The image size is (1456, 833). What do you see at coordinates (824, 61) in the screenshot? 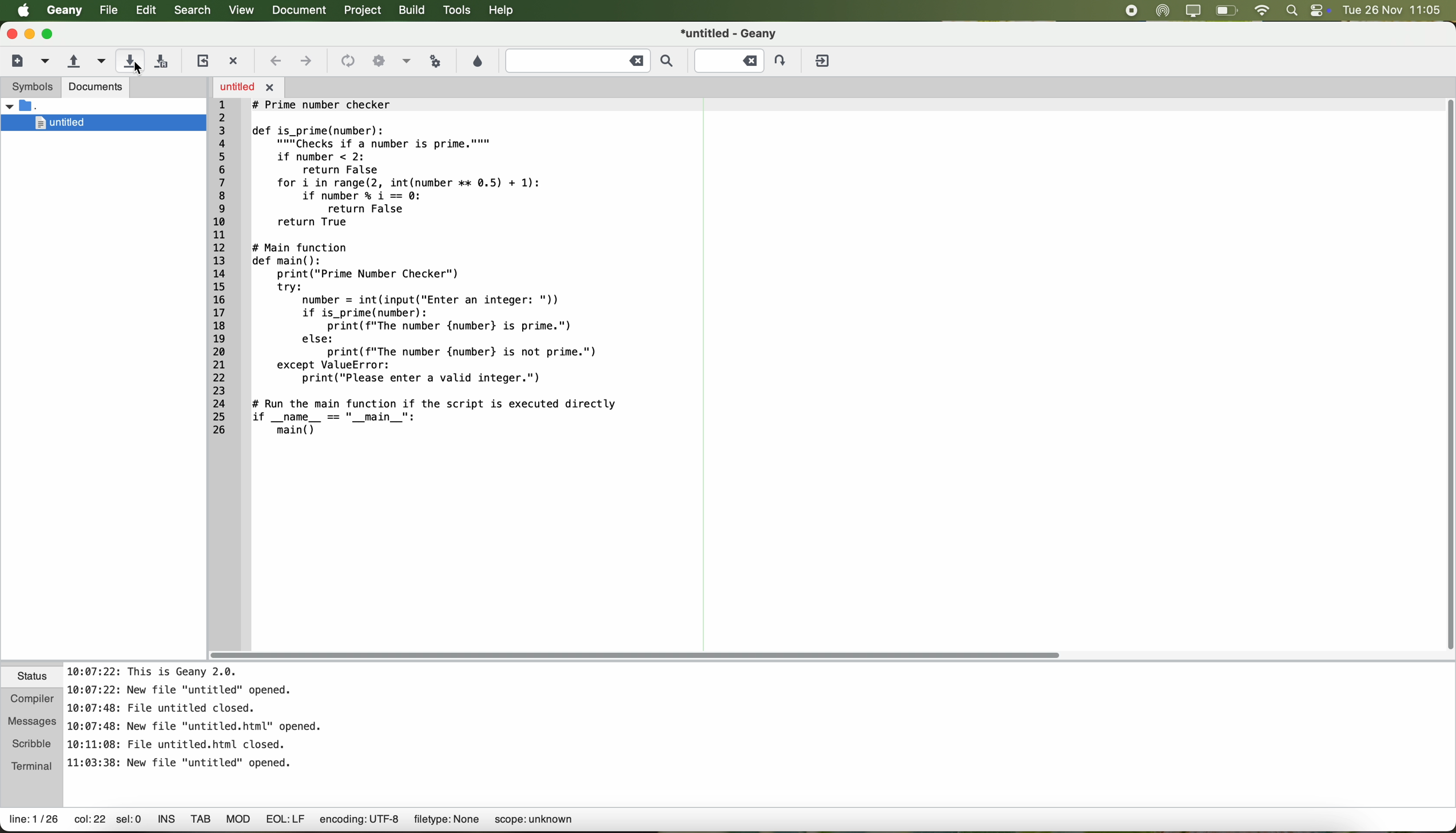
I see `quit Geany` at bounding box center [824, 61].